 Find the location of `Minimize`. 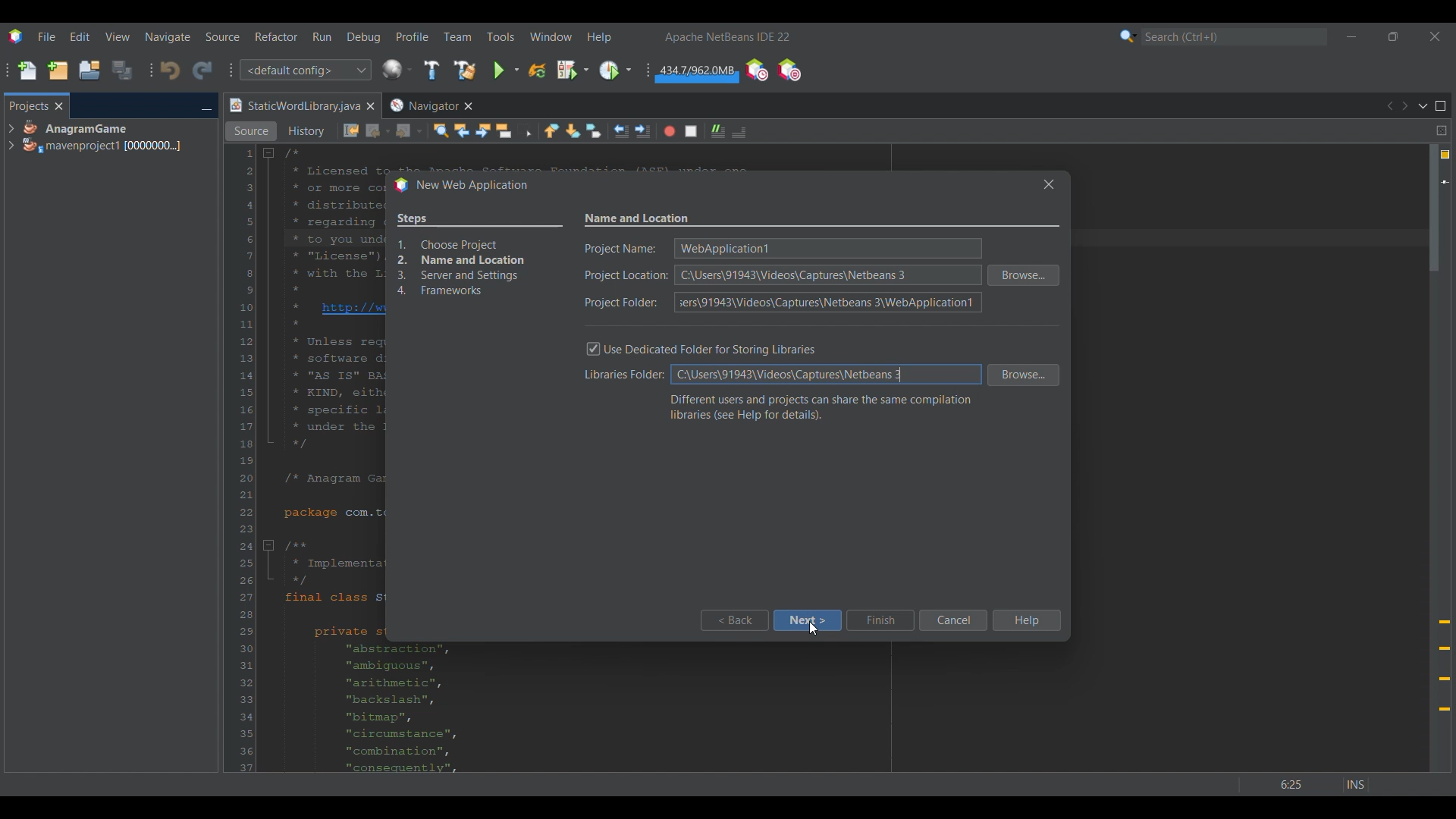

Minimize is located at coordinates (206, 107).